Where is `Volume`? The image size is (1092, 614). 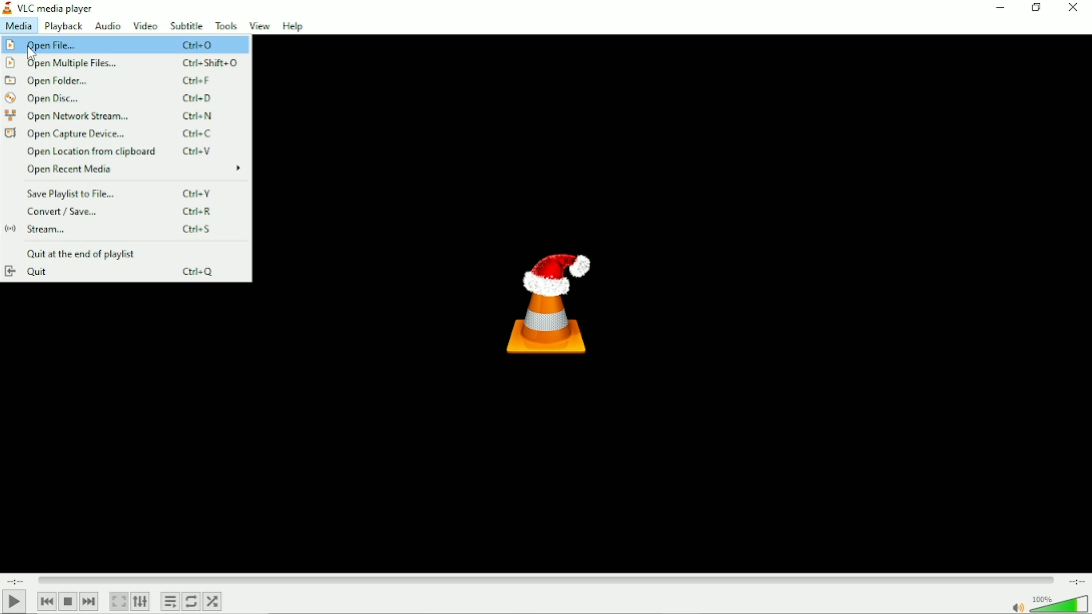 Volume is located at coordinates (1046, 603).